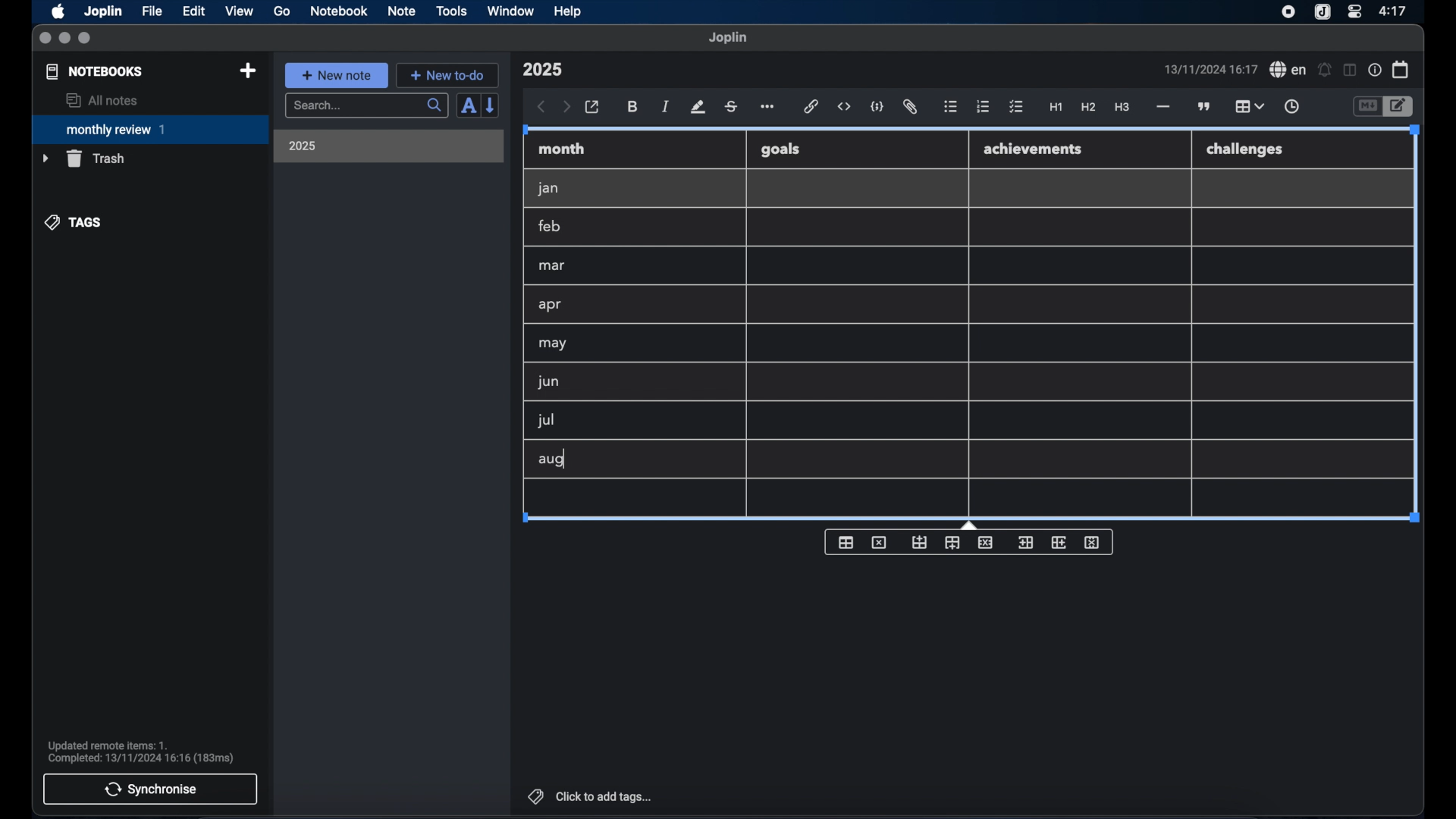 Image resolution: width=1456 pixels, height=819 pixels. What do you see at coordinates (195, 11) in the screenshot?
I see `edit` at bounding box center [195, 11].